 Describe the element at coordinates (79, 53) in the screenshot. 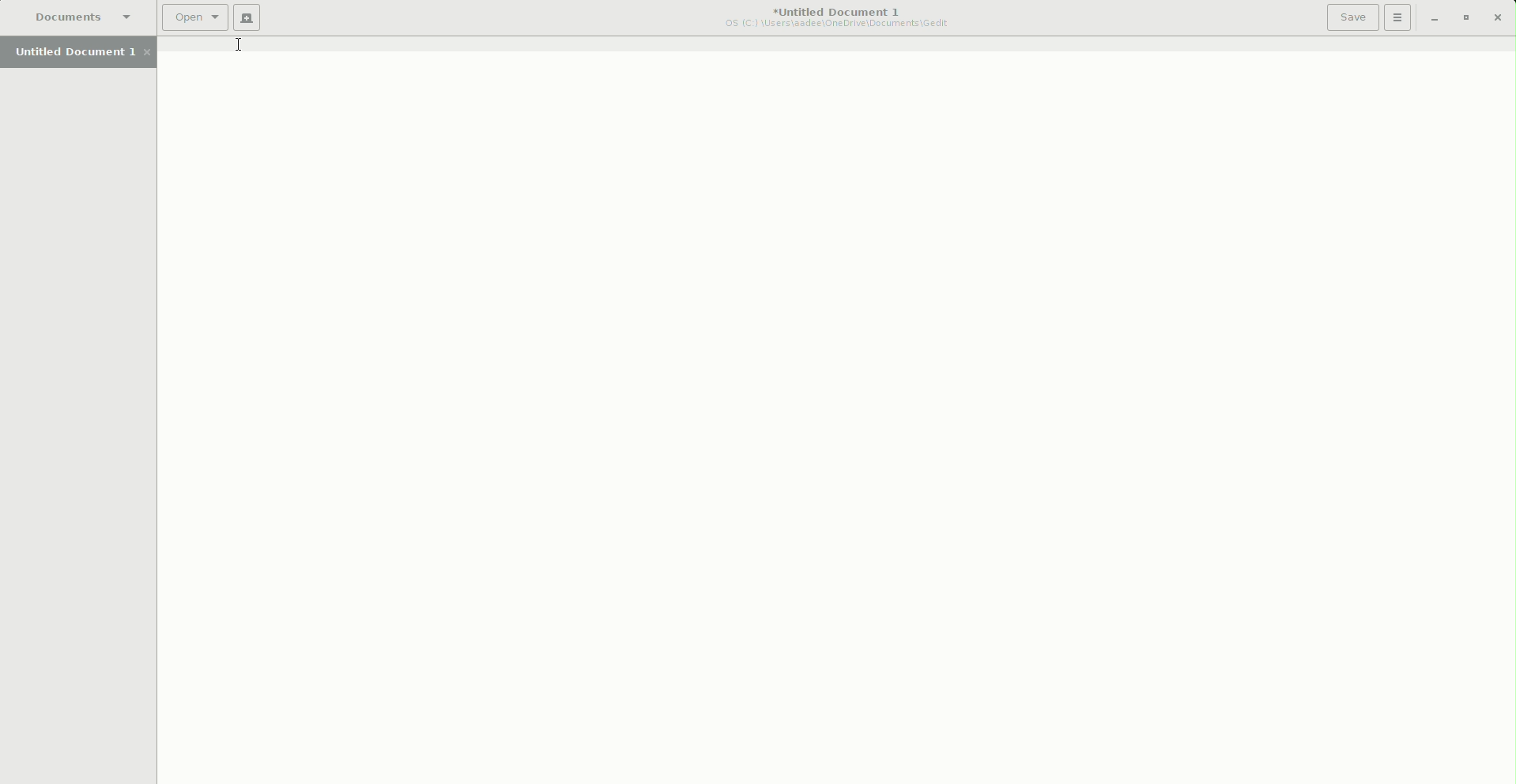

I see `Untitled Document` at that location.